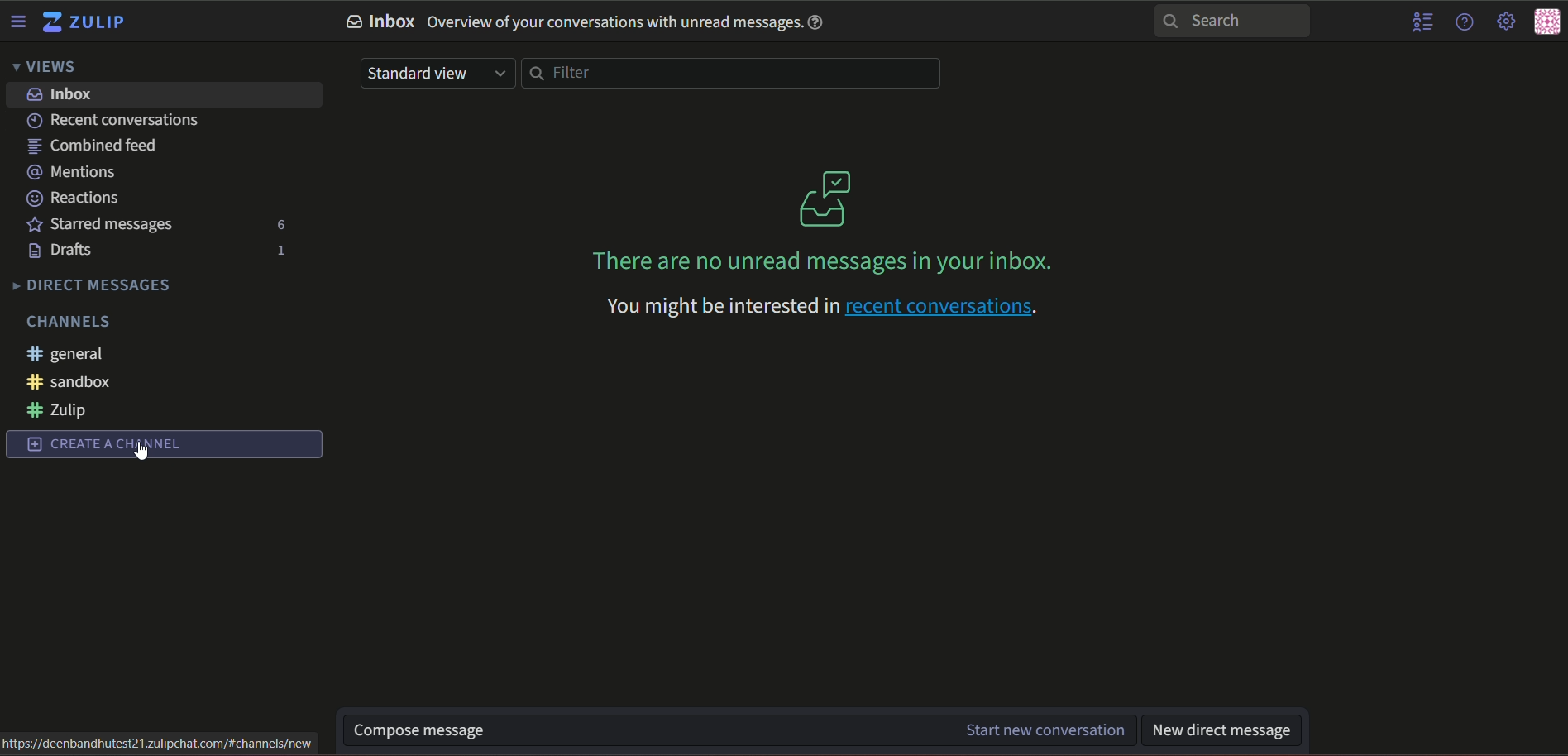 The width and height of the screenshot is (1568, 756). Describe the element at coordinates (437, 74) in the screenshot. I see `standard view` at that location.